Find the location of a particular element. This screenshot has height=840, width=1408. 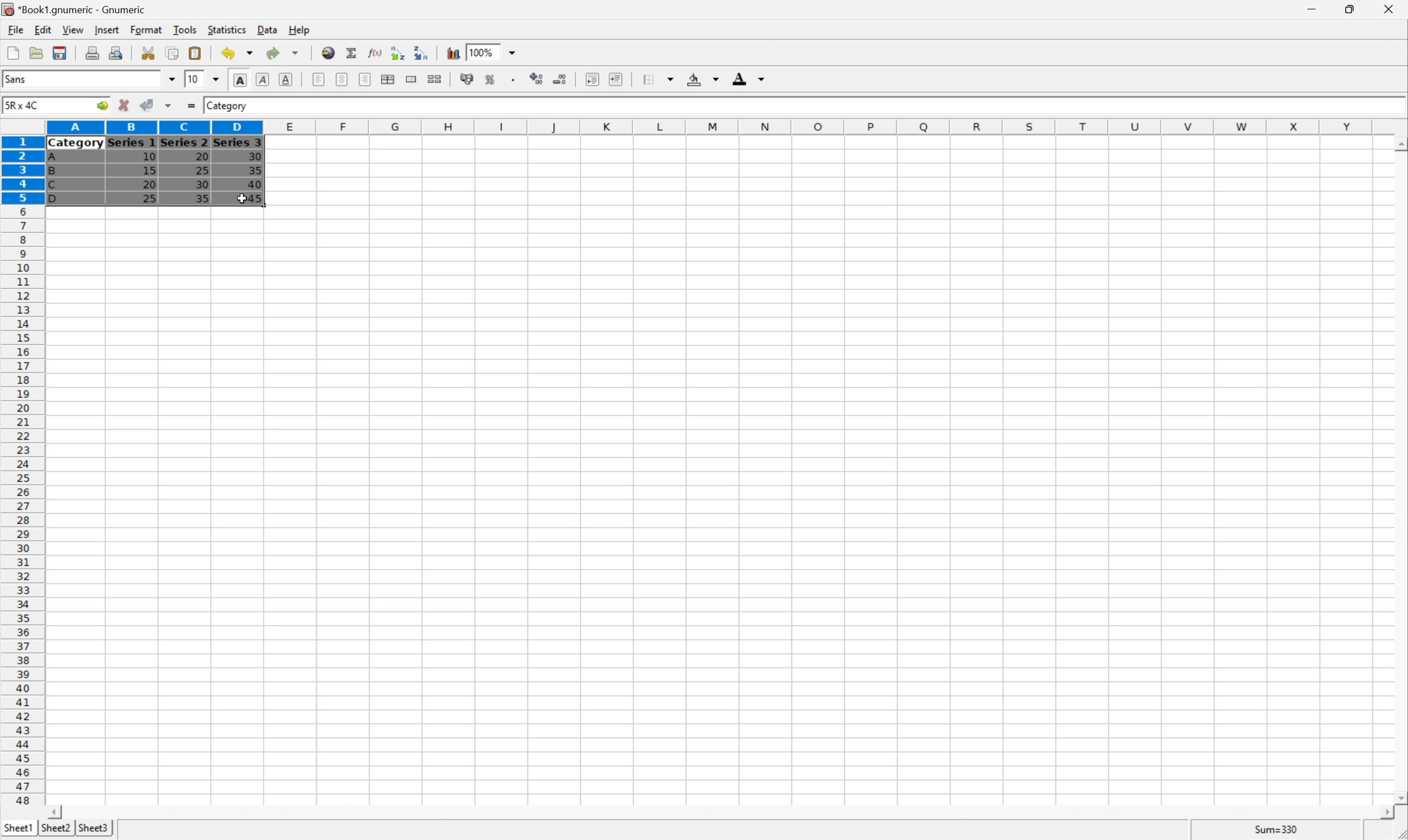

Align Left is located at coordinates (317, 77).